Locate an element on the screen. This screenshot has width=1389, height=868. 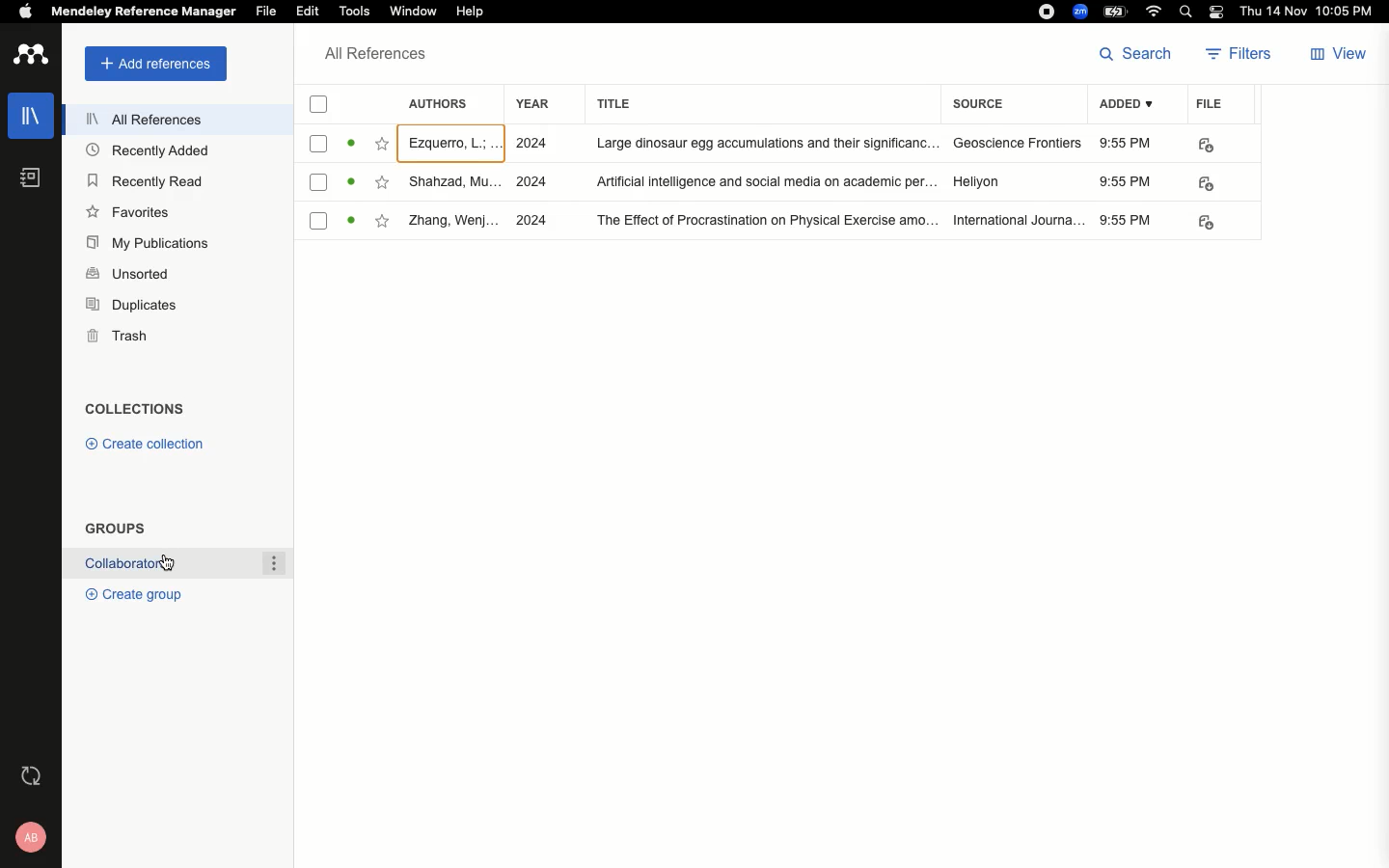
Filters is located at coordinates (1244, 55).